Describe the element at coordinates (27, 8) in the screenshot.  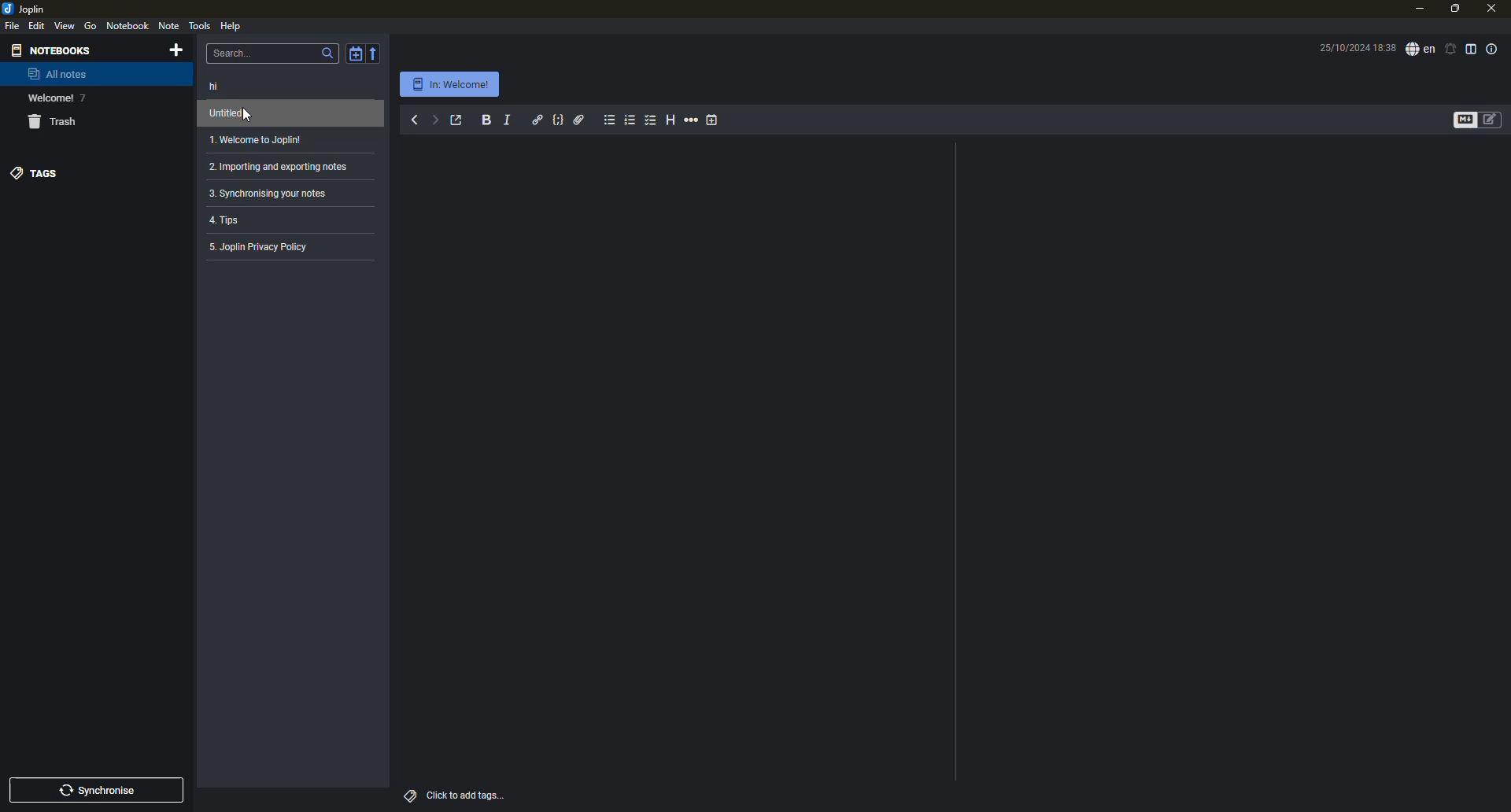
I see `joplin` at that location.